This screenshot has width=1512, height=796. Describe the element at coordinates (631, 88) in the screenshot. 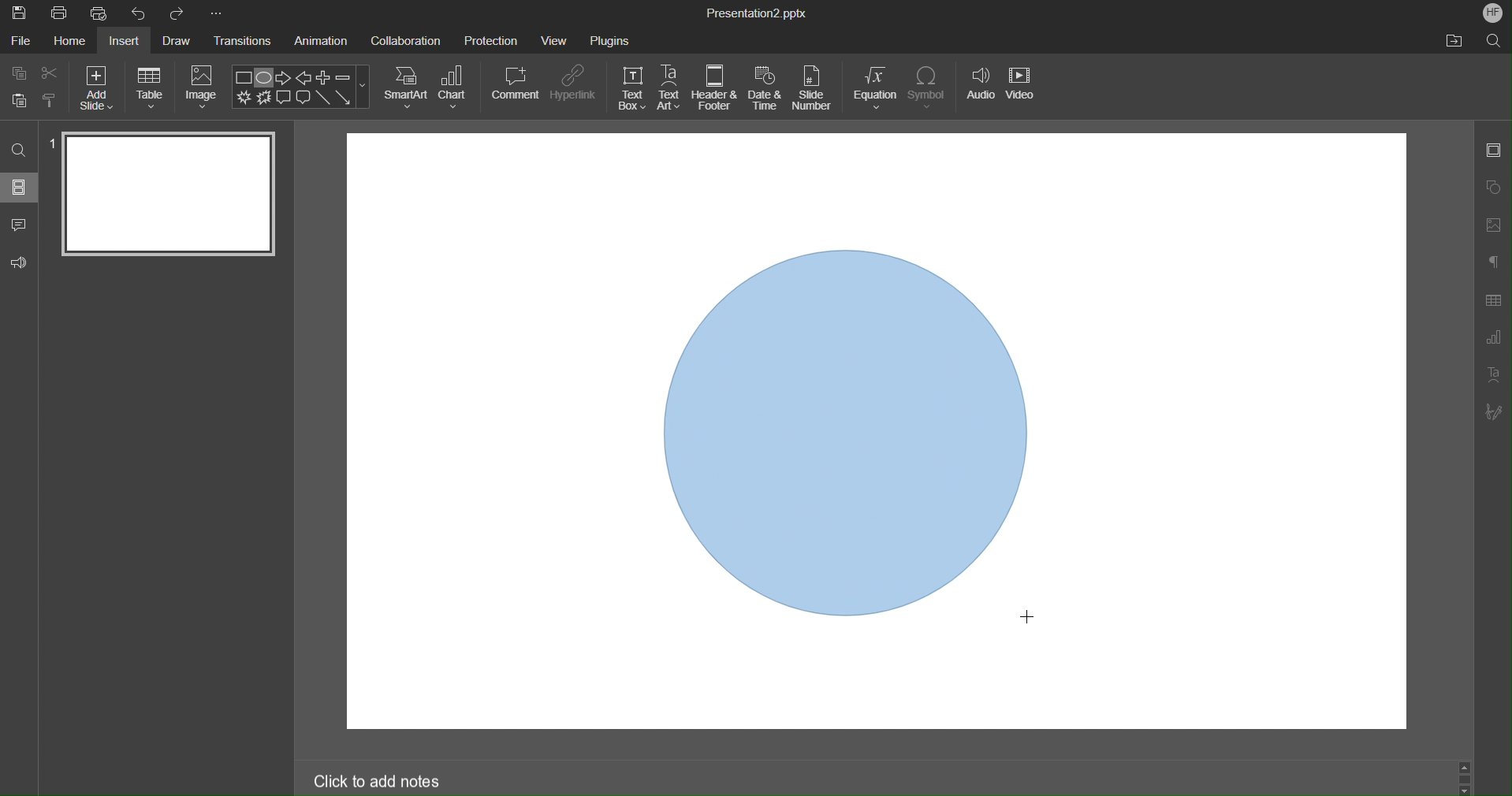

I see `Text Box` at that location.